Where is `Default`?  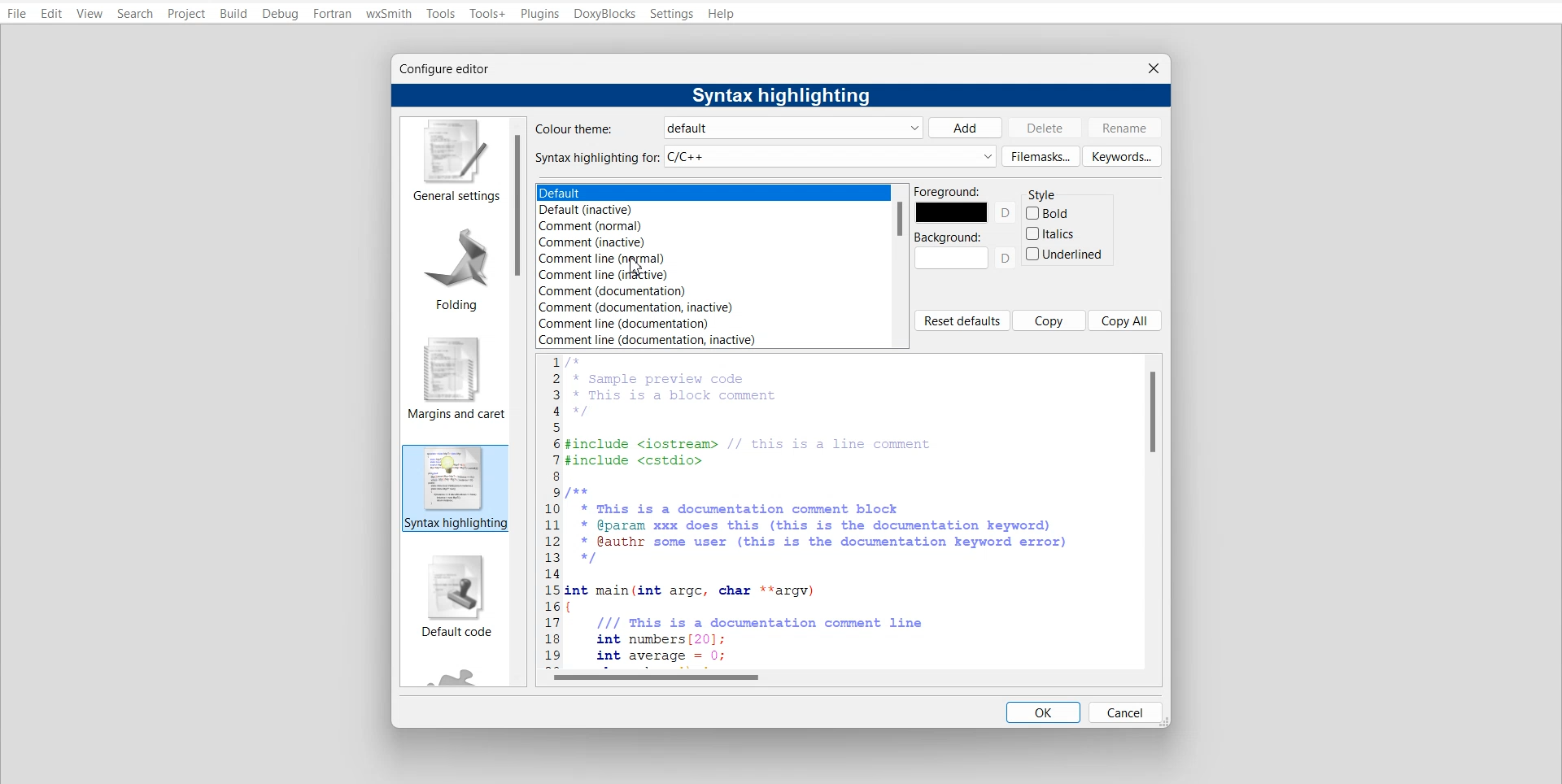
Default is located at coordinates (653, 193).